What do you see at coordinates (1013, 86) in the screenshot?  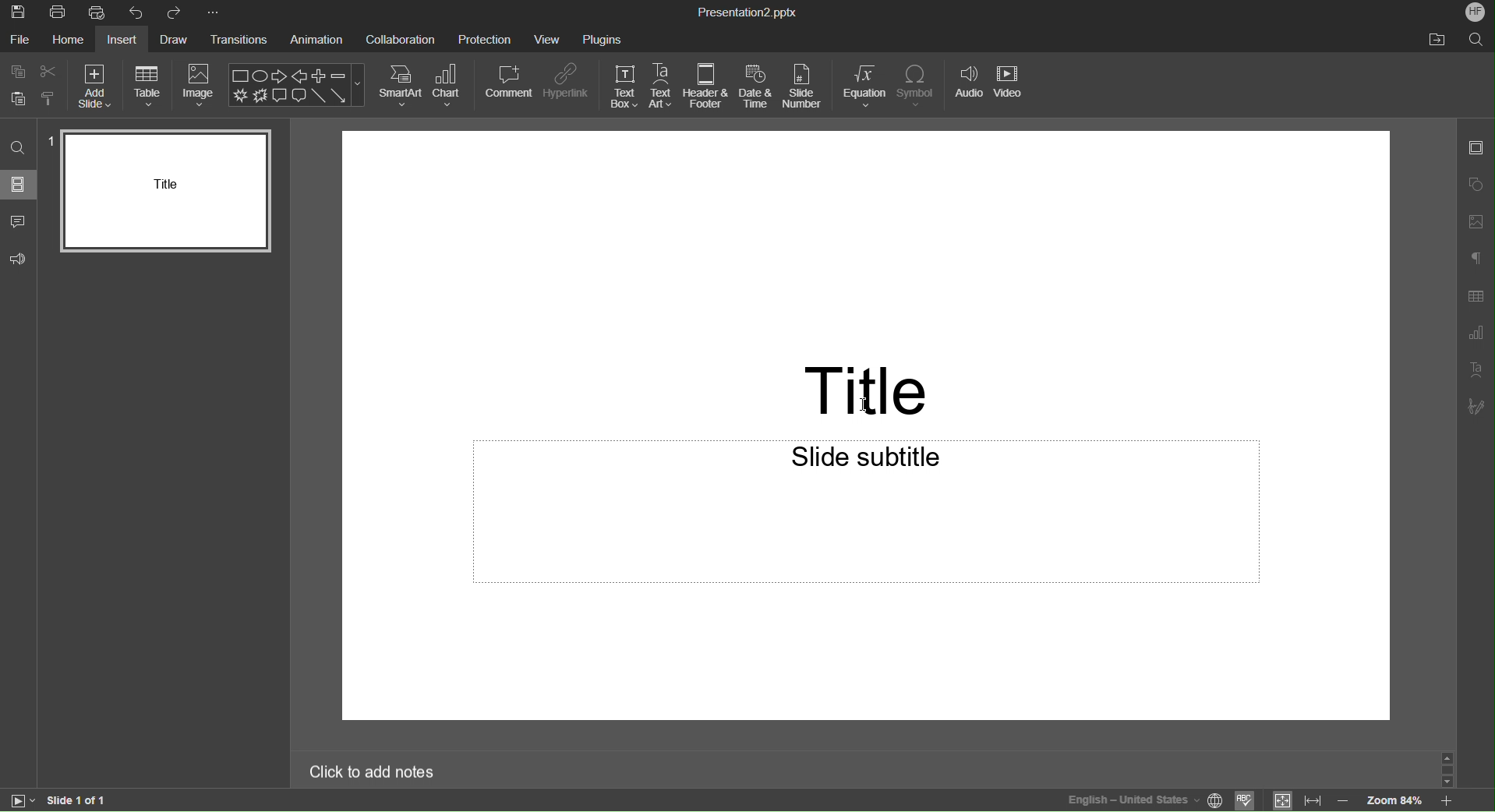 I see `Video` at bounding box center [1013, 86].